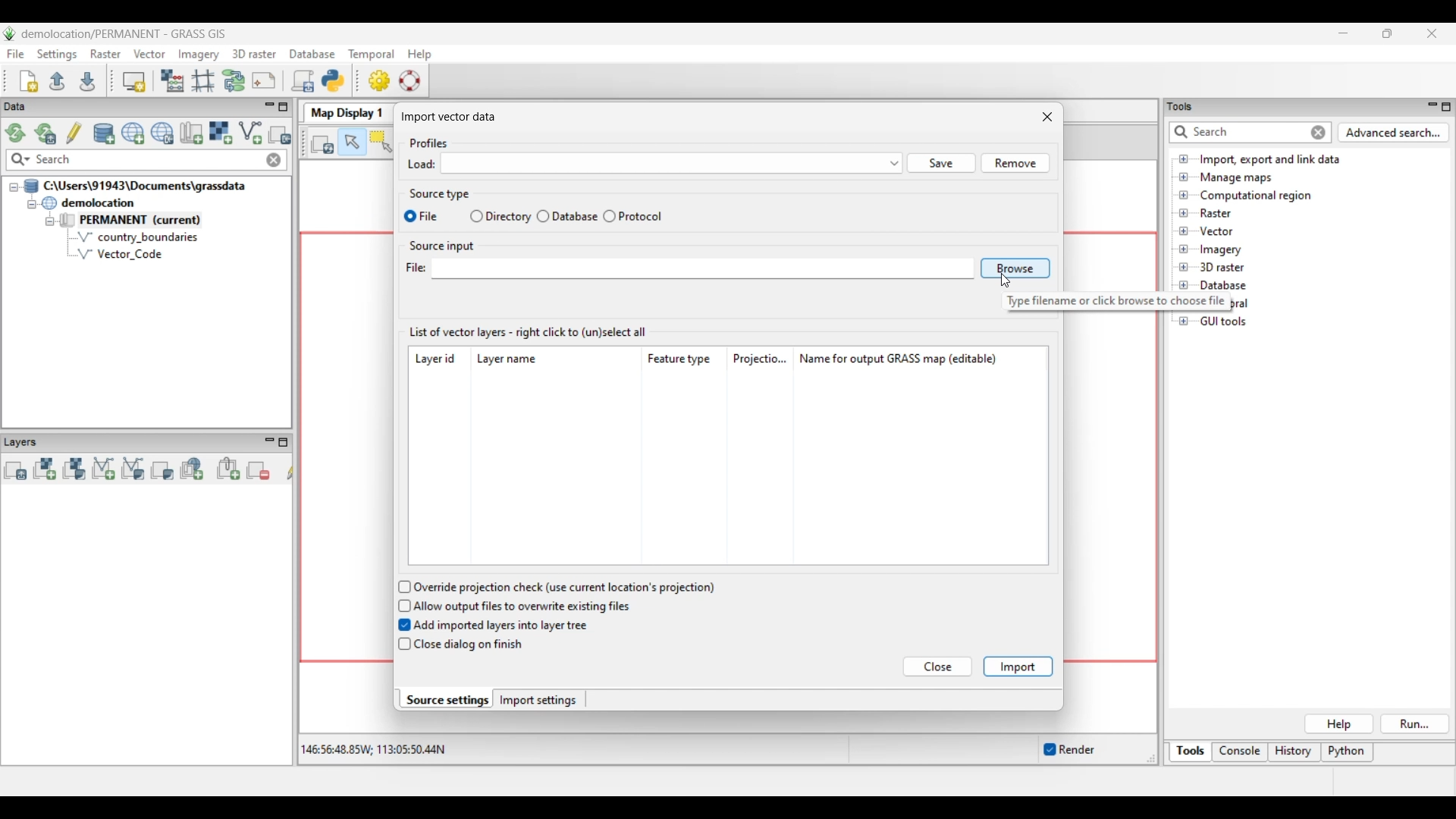 This screenshot has height=819, width=1456. I want to click on Type in source input file, so click(704, 266).